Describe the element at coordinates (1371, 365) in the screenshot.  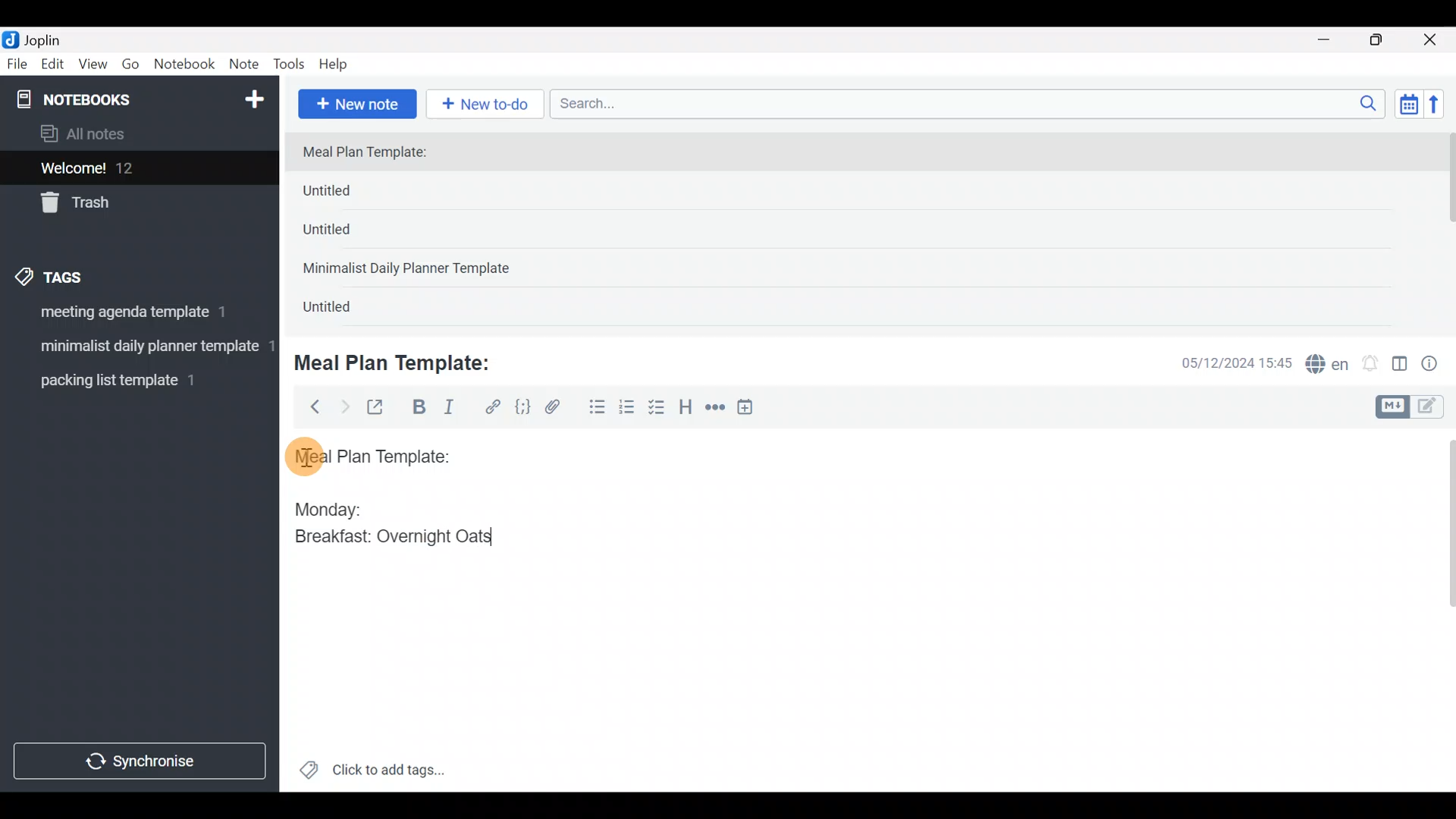
I see `Set alarm` at that location.